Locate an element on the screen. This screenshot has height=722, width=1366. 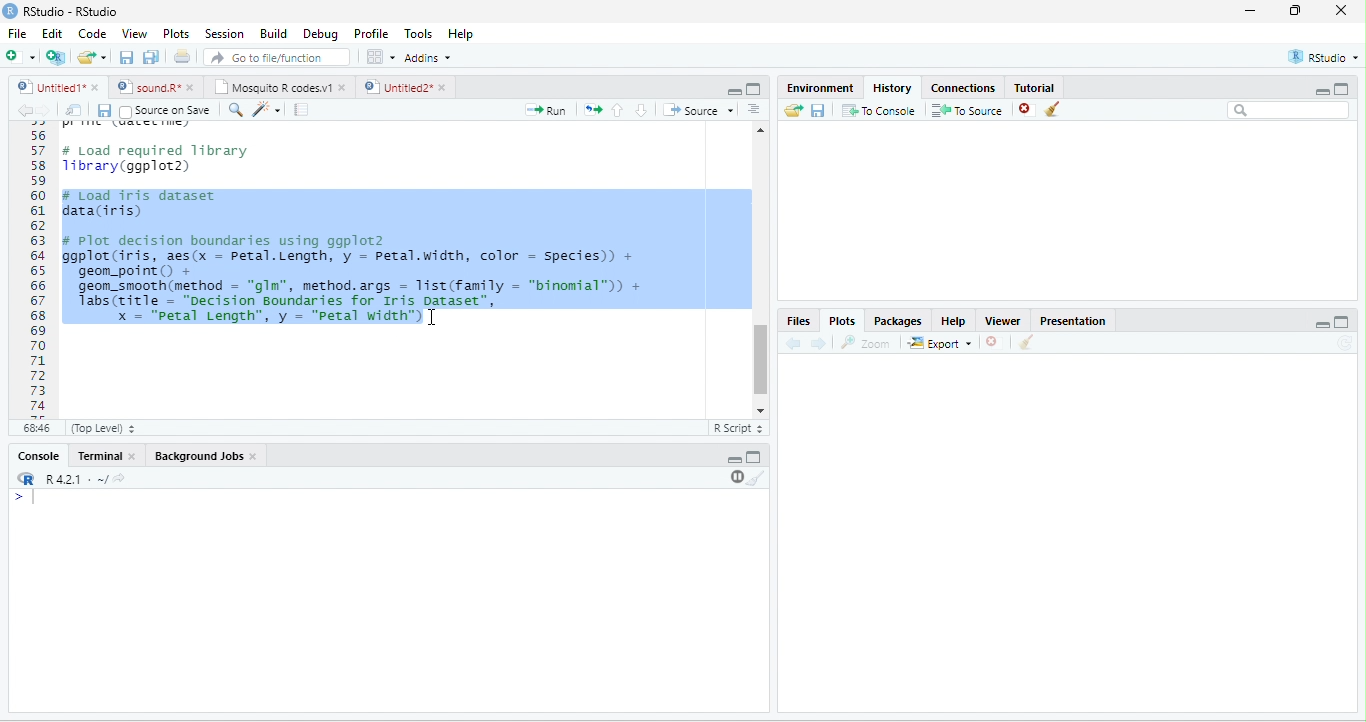
History is located at coordinates (892, 88).